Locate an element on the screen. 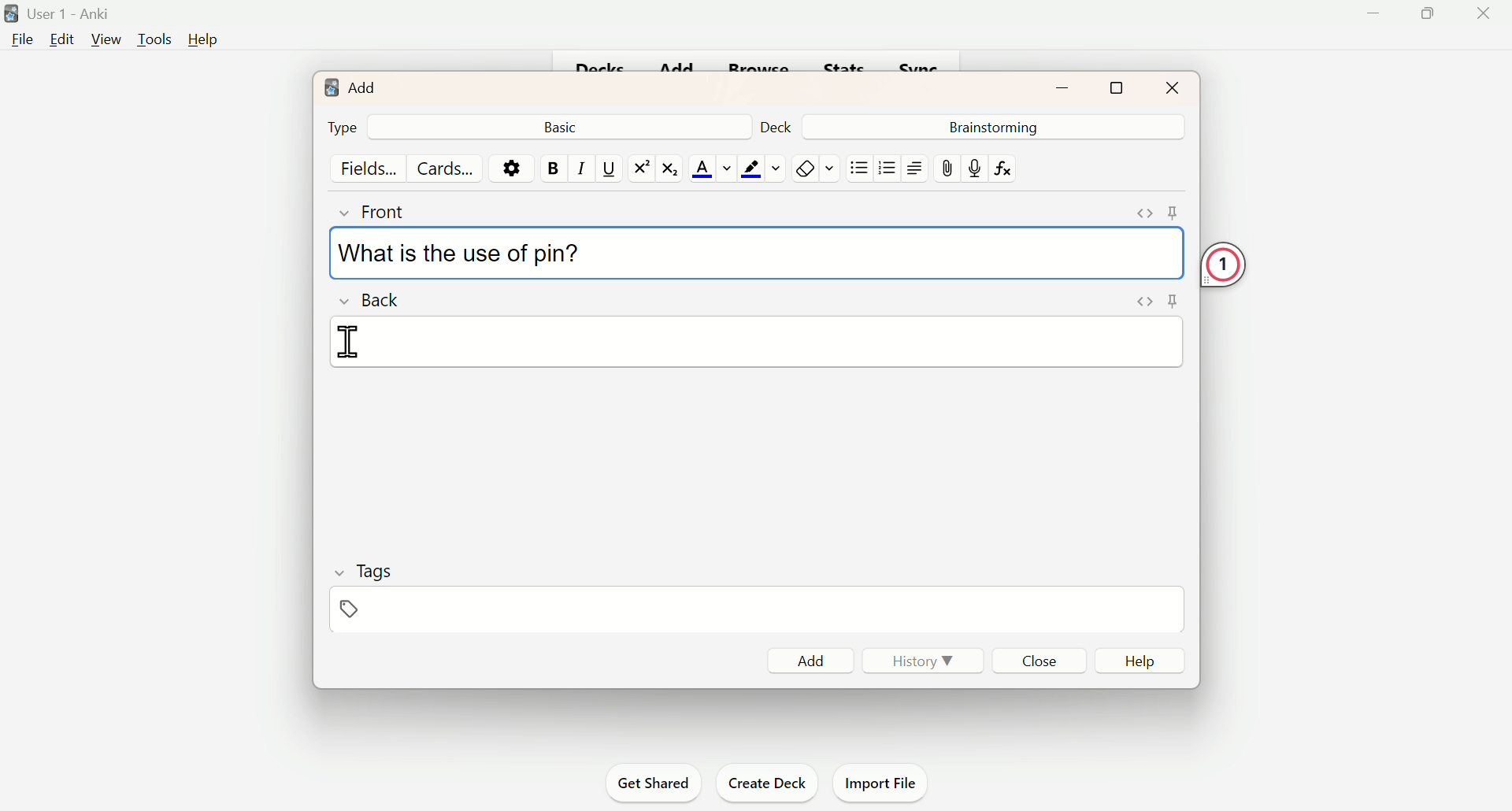 The height and width of the screenshot is (811, 1512). Get Shared is located at coordinates (659, 783).